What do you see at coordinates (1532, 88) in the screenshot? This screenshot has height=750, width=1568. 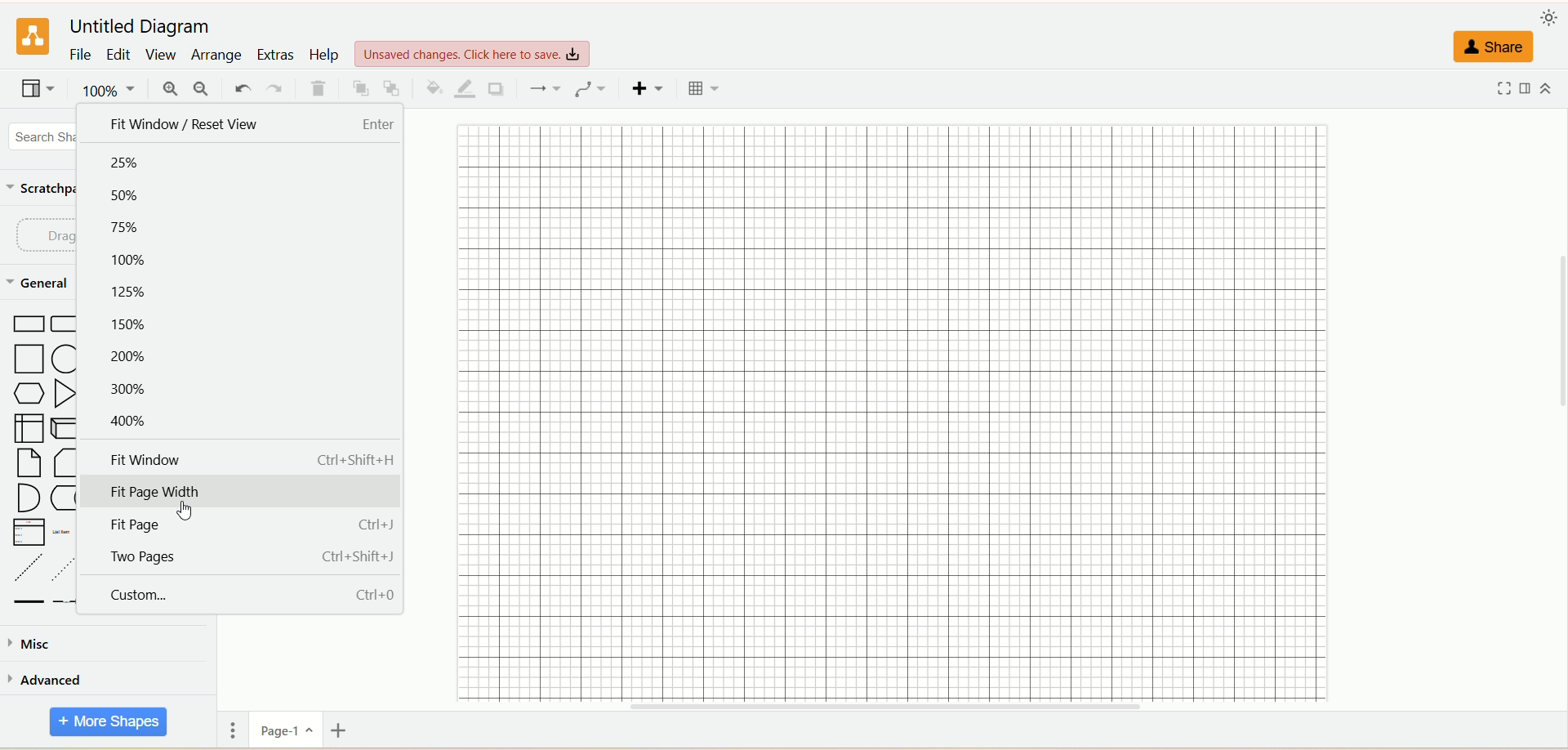 I see `format` at bounding box center [1532, 88].